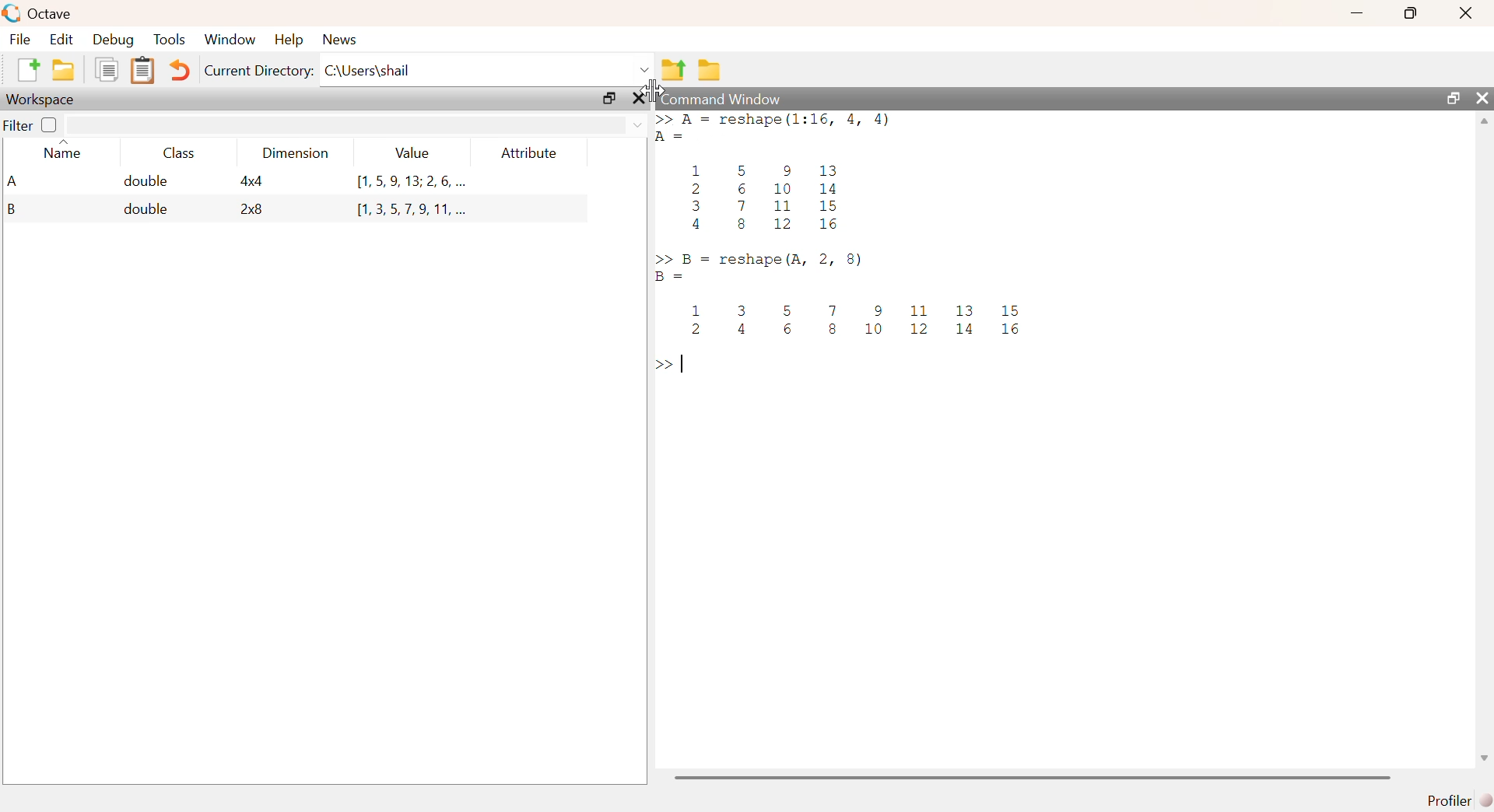 The width and height of the screenshot is (1494, 812). Describe the element at coordinates (1464, 15) in the screenshot. I see `close` at that location.